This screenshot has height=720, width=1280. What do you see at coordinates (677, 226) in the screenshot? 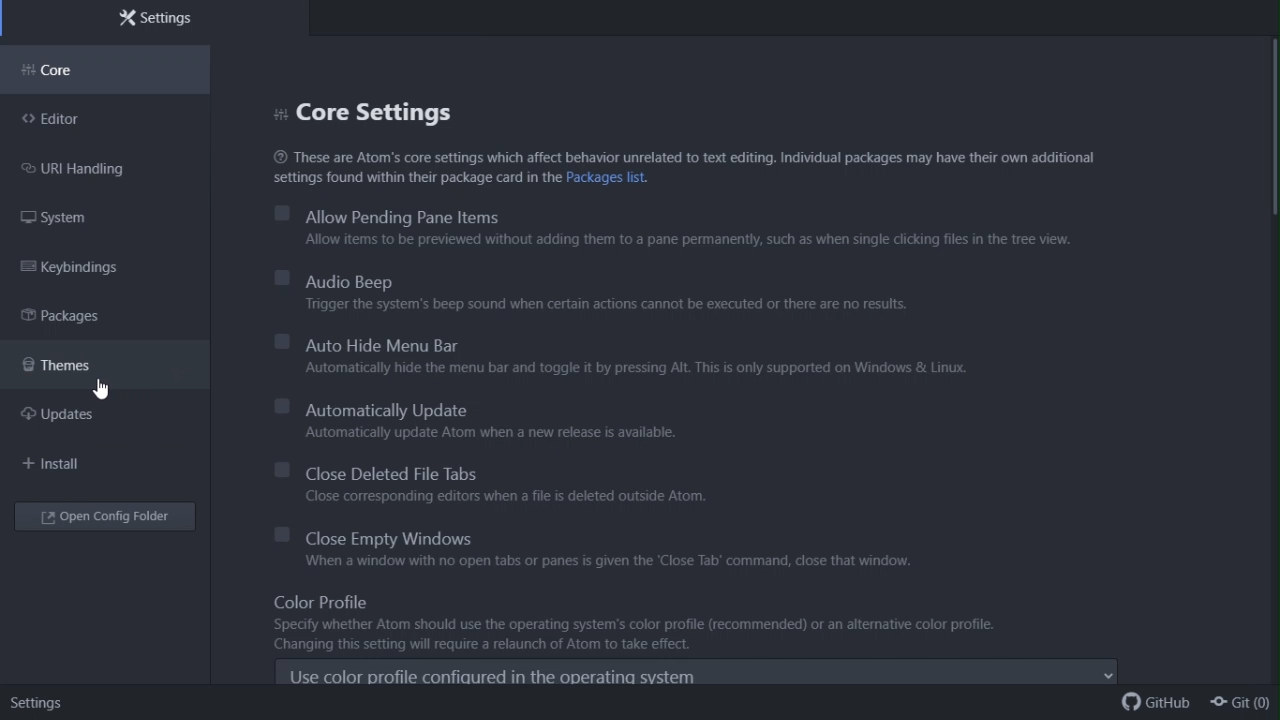
I see `Allow pending Pane items` at bounding box center [677, 226].